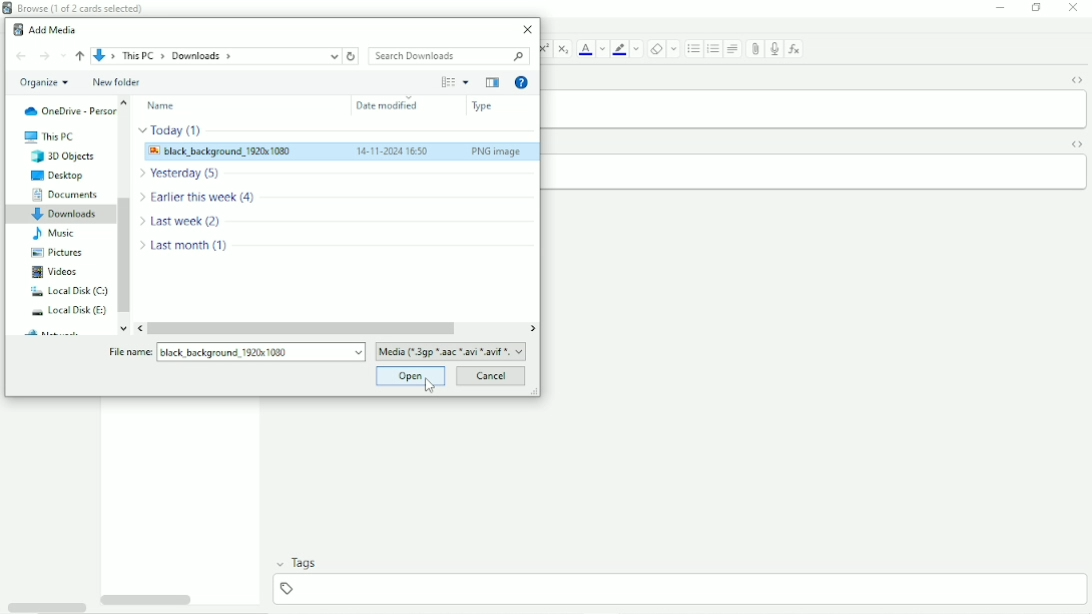 The width and height of the screenshot is (1092, 614). I want to click on Superscript, so click(545, 49).